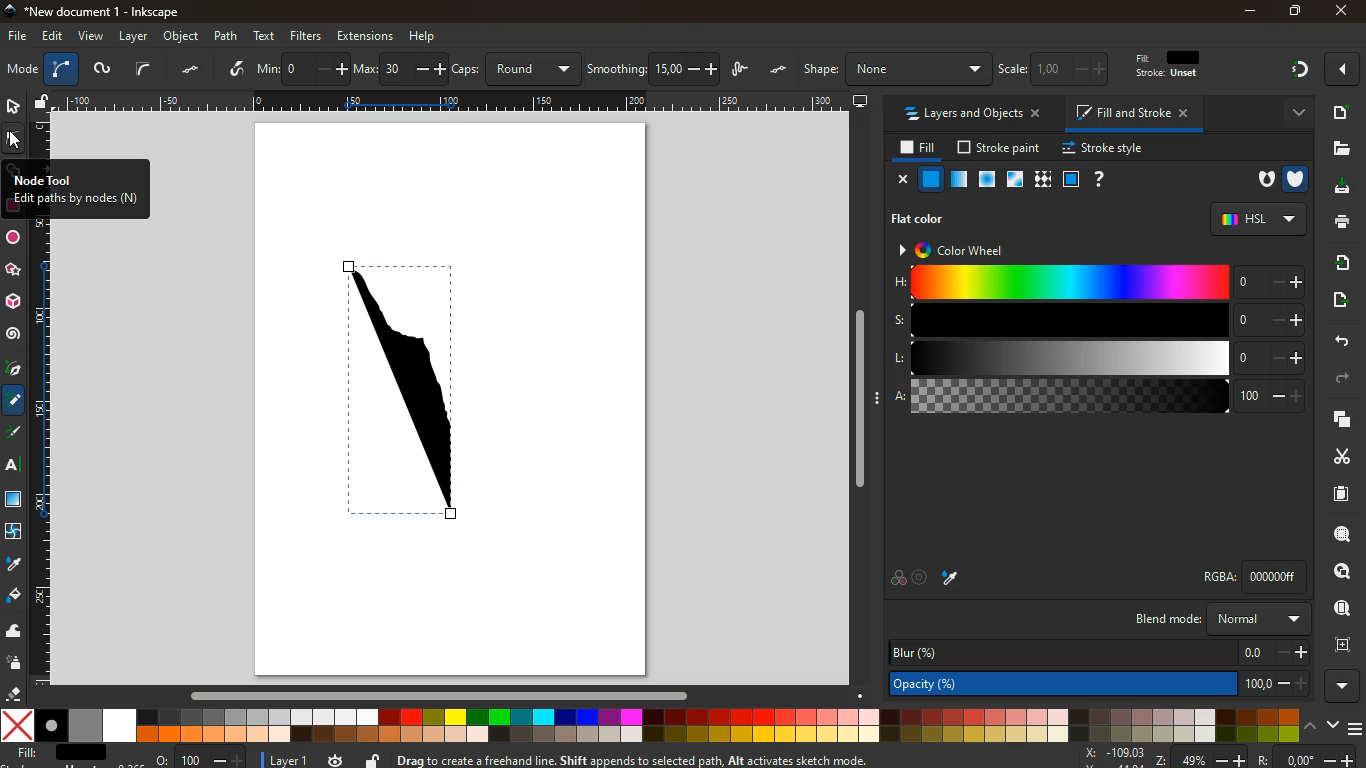  Describe the element at coordinates (18, 465) in the screenshot. I see `Text tool` at that location.